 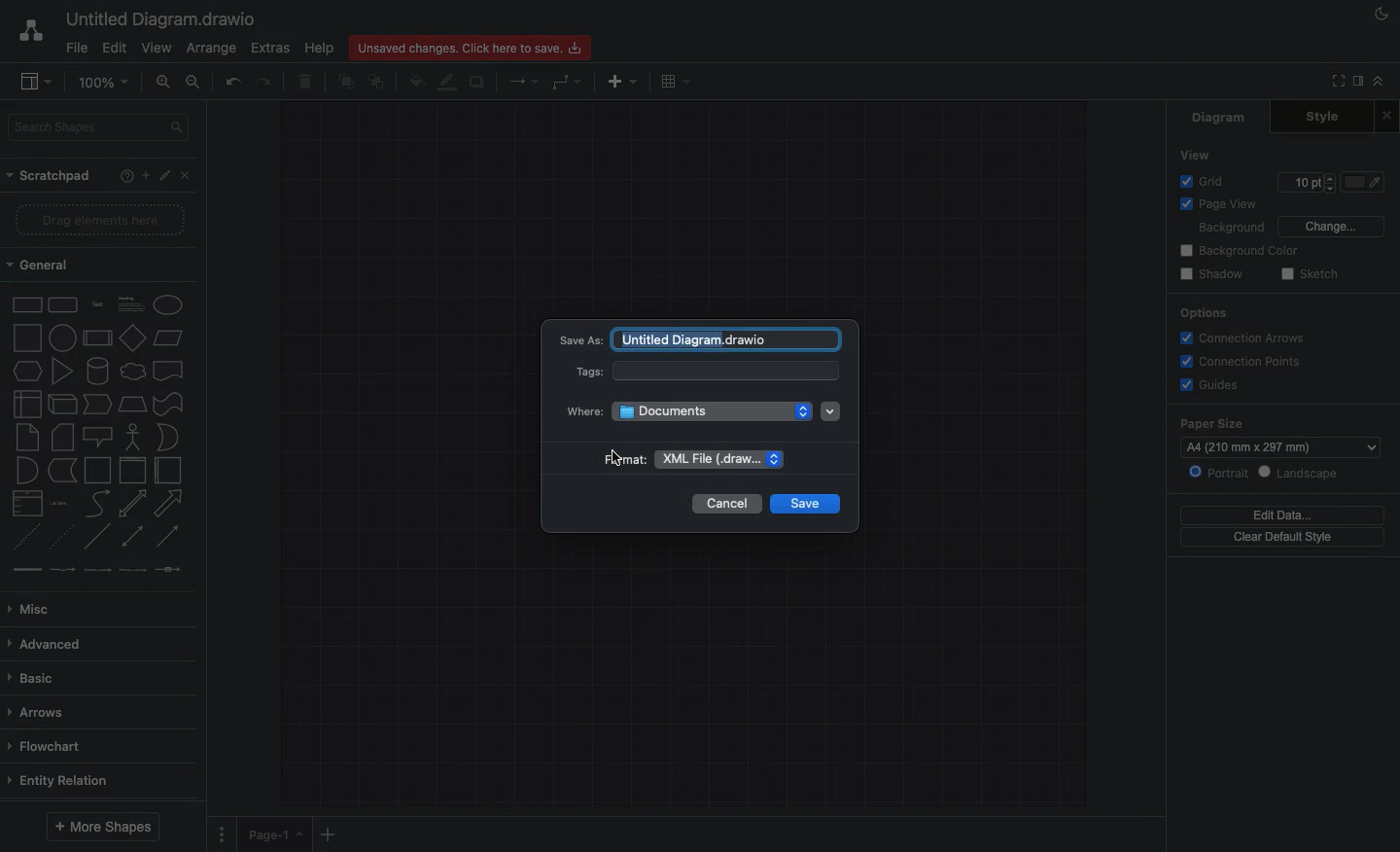 I want to click on Help, so click(x=122, y=173).